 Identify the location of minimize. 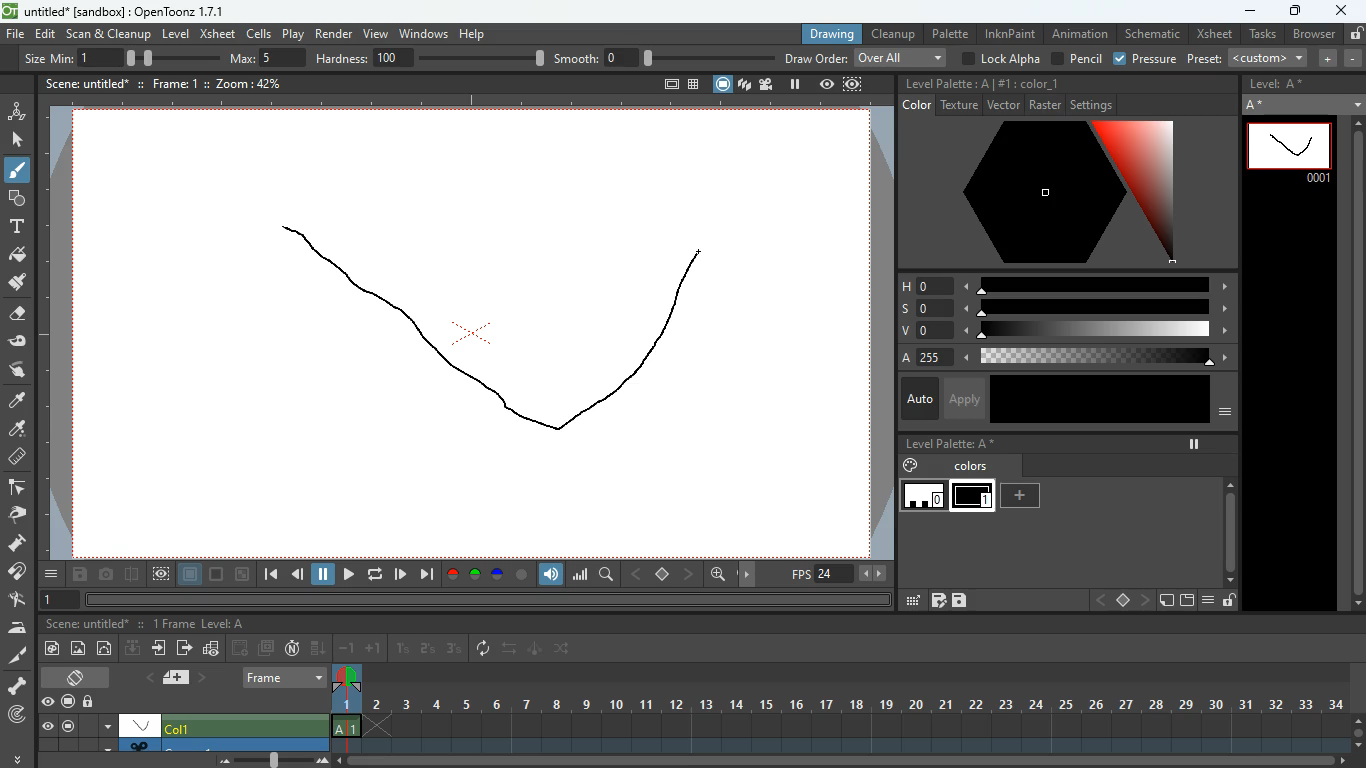
(1248, 12).